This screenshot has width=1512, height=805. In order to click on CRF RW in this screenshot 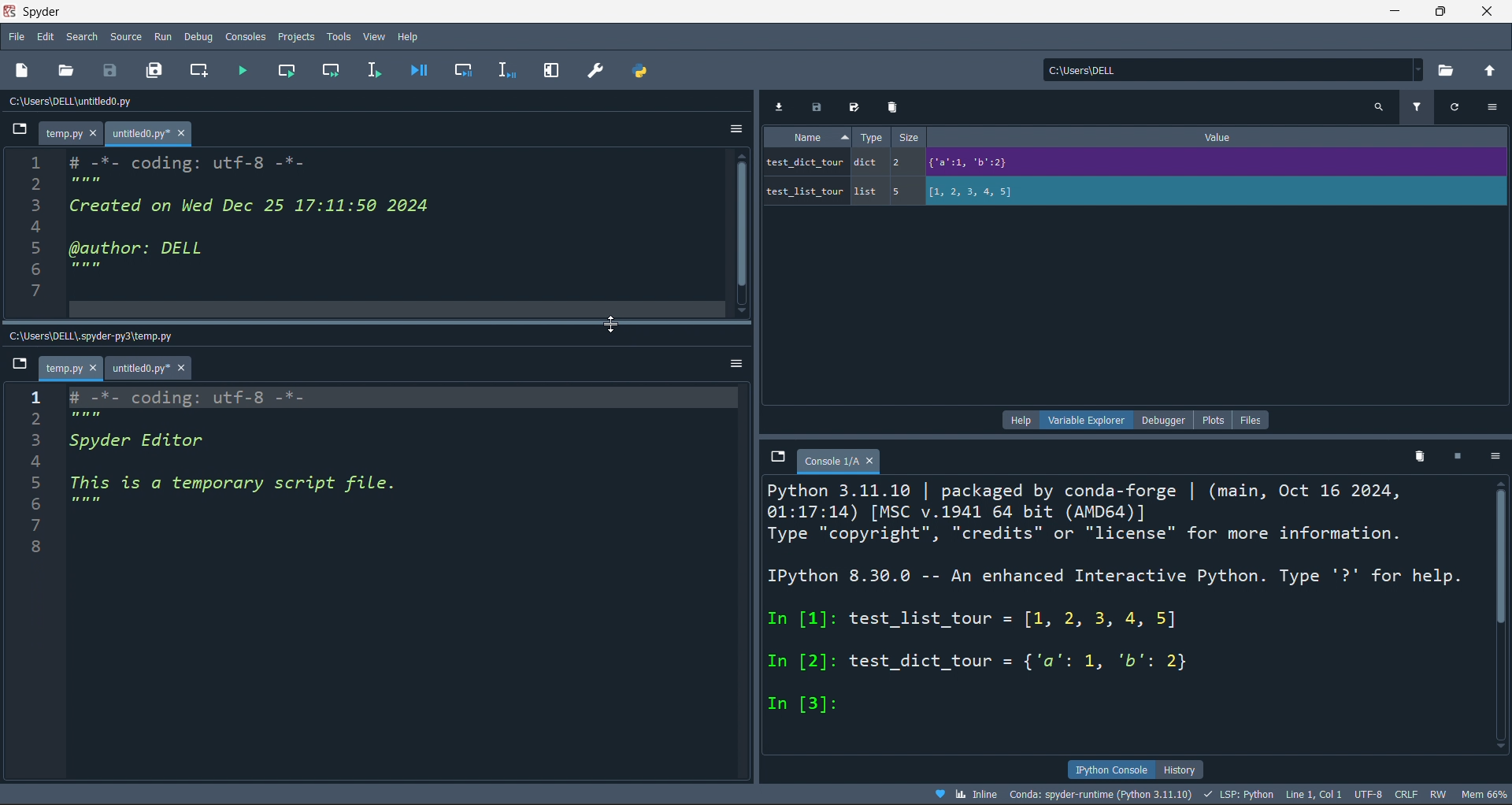, I will do `click(1425, 794)`.